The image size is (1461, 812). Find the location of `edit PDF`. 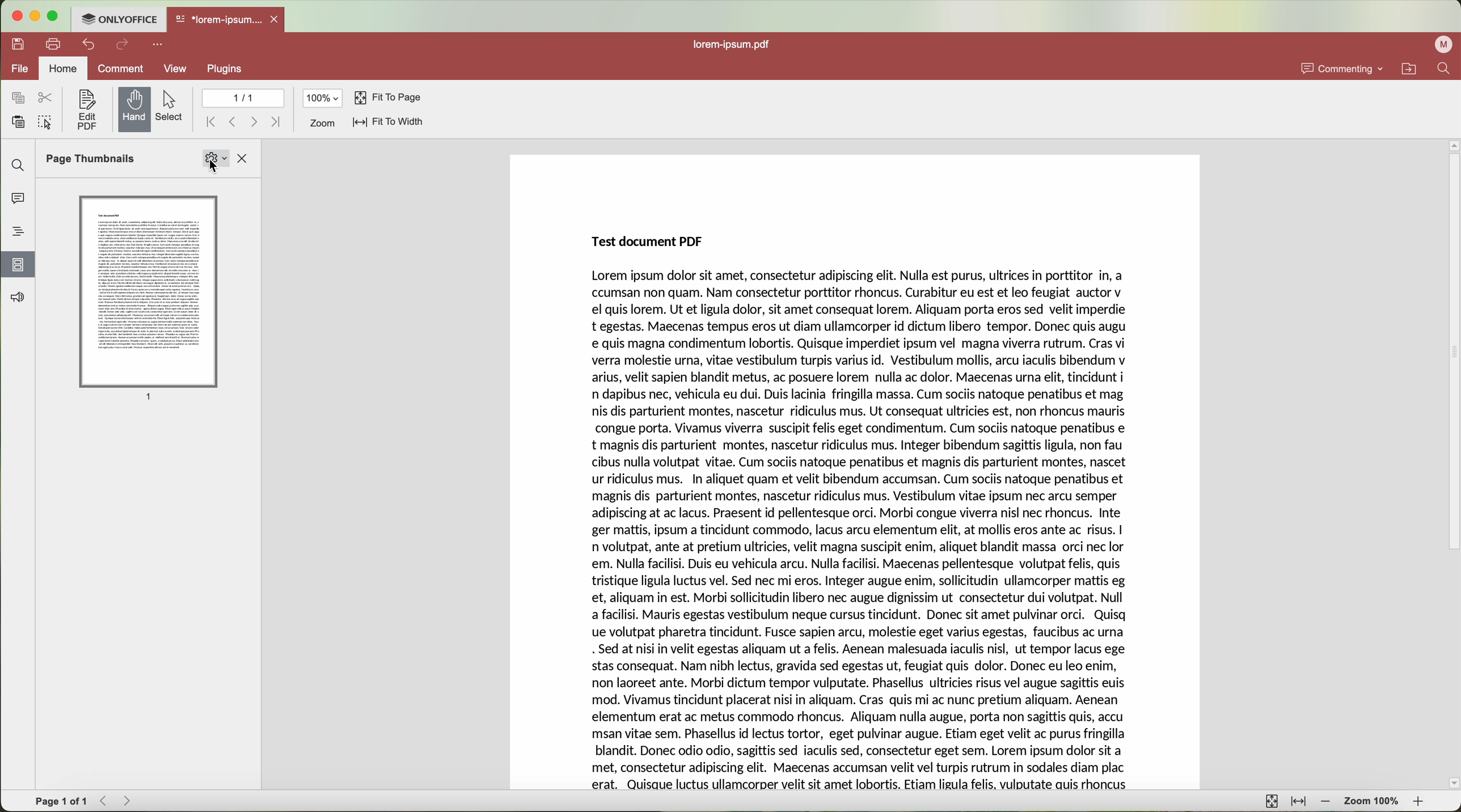

edit PDF is located at coordinates (85, 109).